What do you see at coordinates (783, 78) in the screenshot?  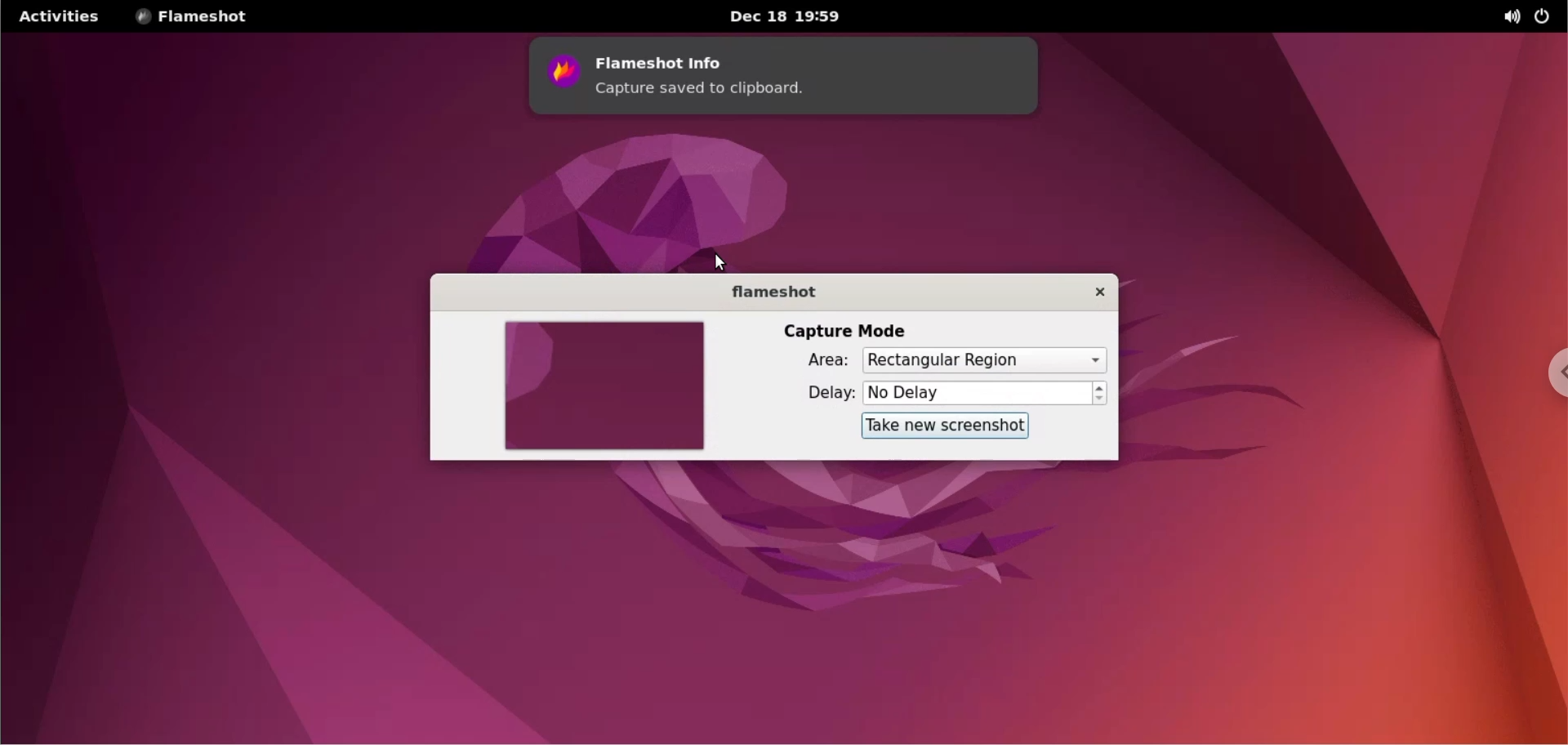 I see ` Flameshot info.  Capture saved to clipboard.` at bounding box center [783, 78].